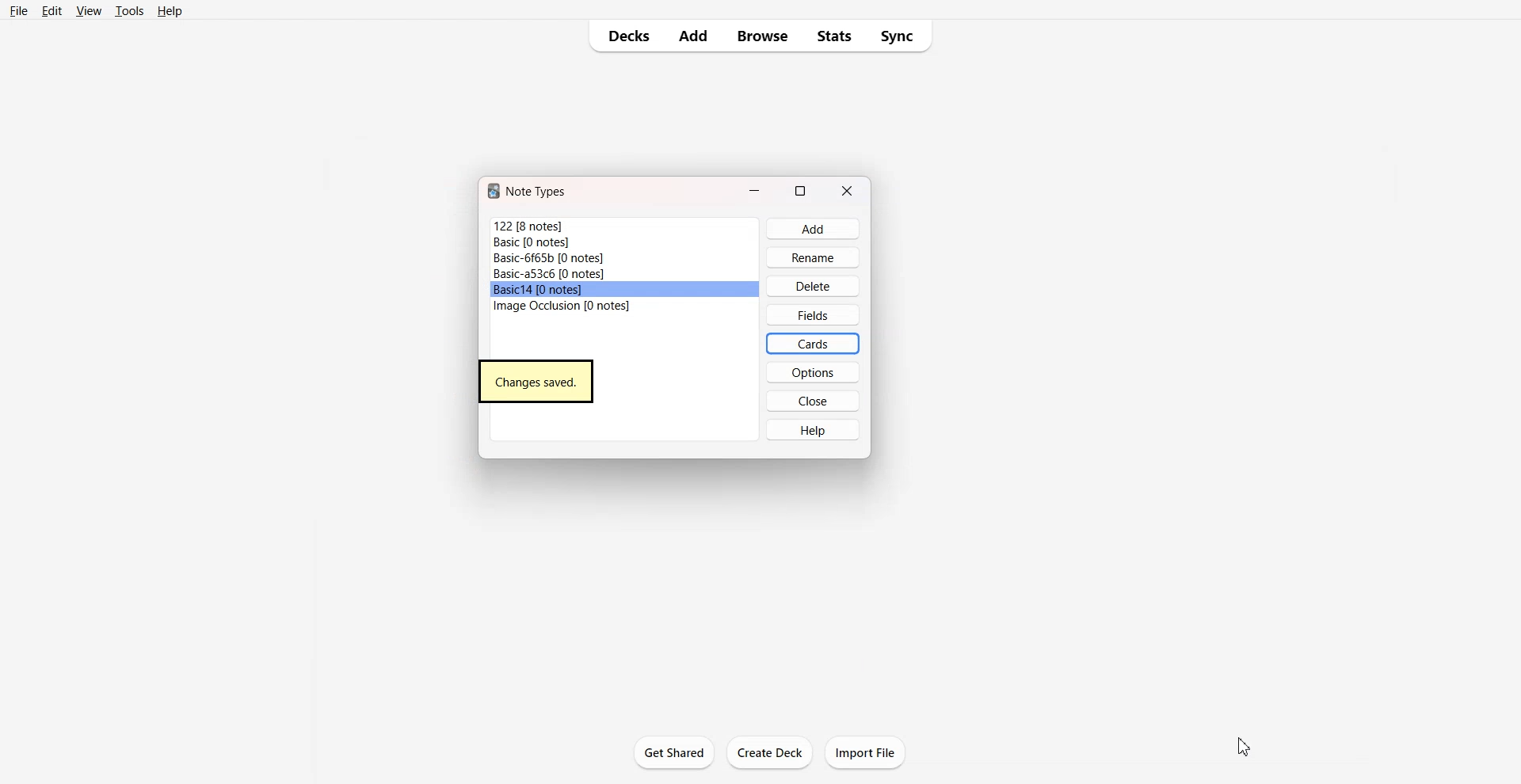 The image size is (1521, 784). Describe the element at coordinates (623, 306) in the screenshot. I see `File` at that location.